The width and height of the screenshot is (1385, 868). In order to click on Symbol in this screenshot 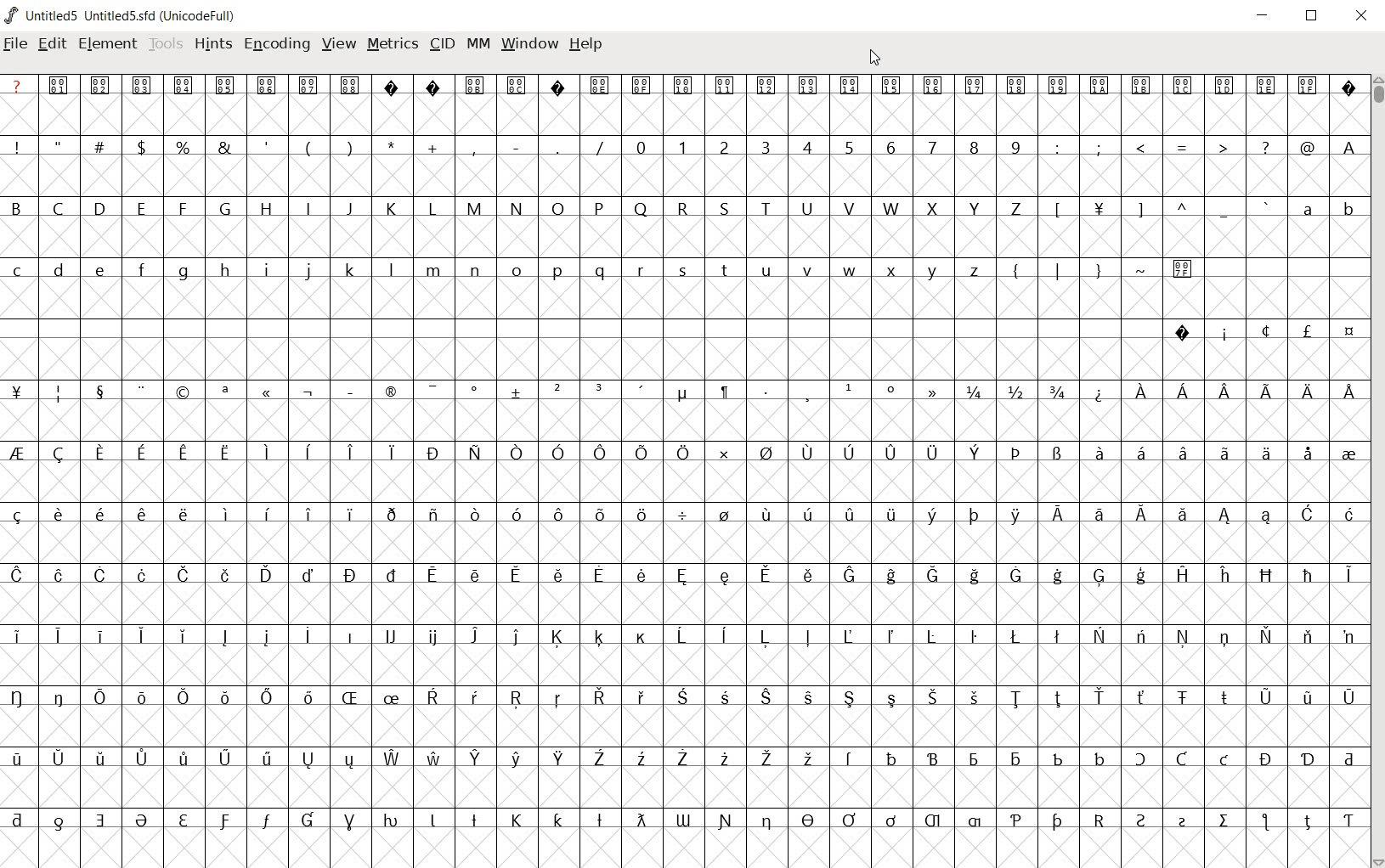, I will do `click(682, 516)`.